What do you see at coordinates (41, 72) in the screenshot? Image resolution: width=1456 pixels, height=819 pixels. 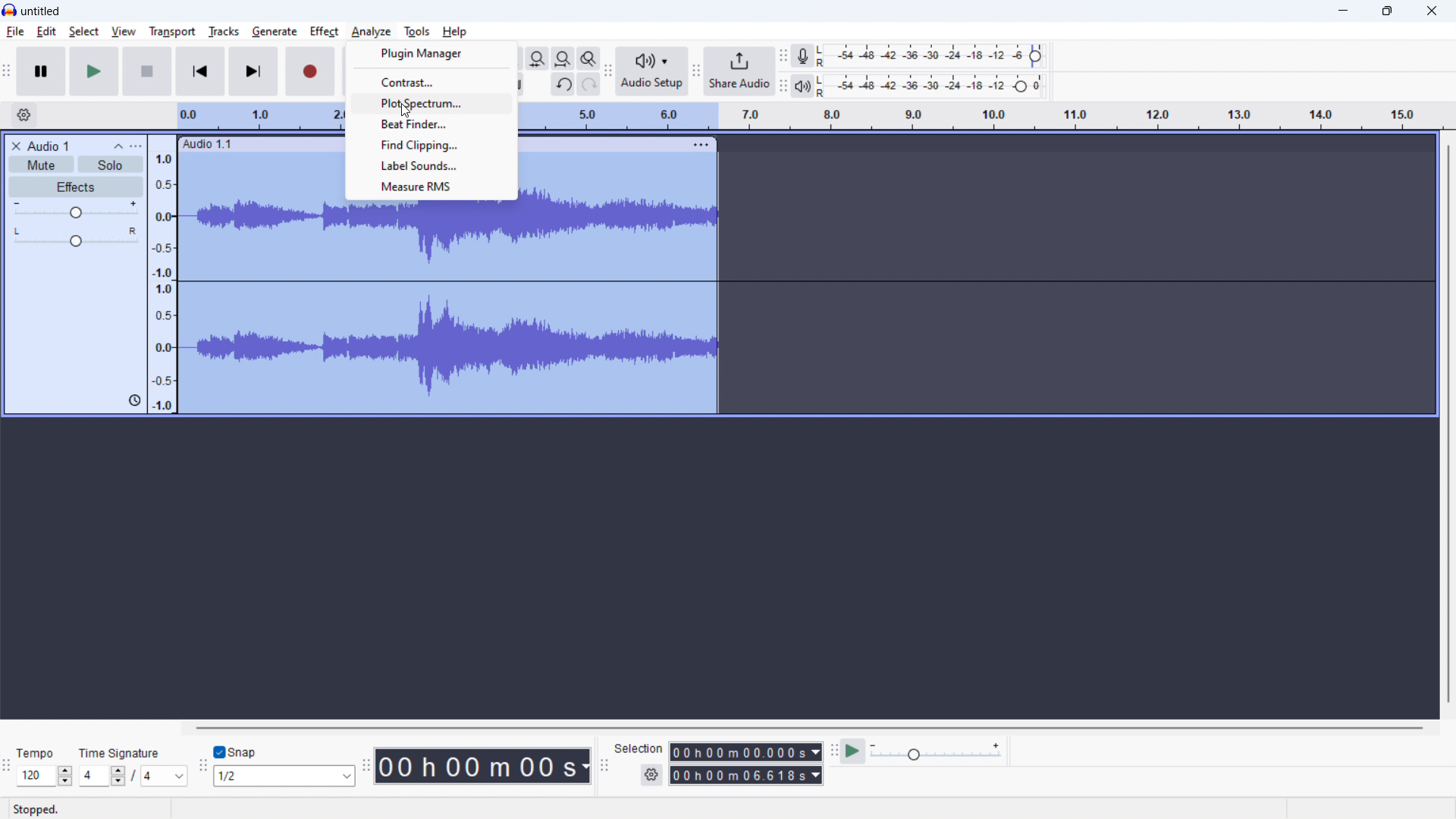 I see `pause` at bounding box center [41, 72].